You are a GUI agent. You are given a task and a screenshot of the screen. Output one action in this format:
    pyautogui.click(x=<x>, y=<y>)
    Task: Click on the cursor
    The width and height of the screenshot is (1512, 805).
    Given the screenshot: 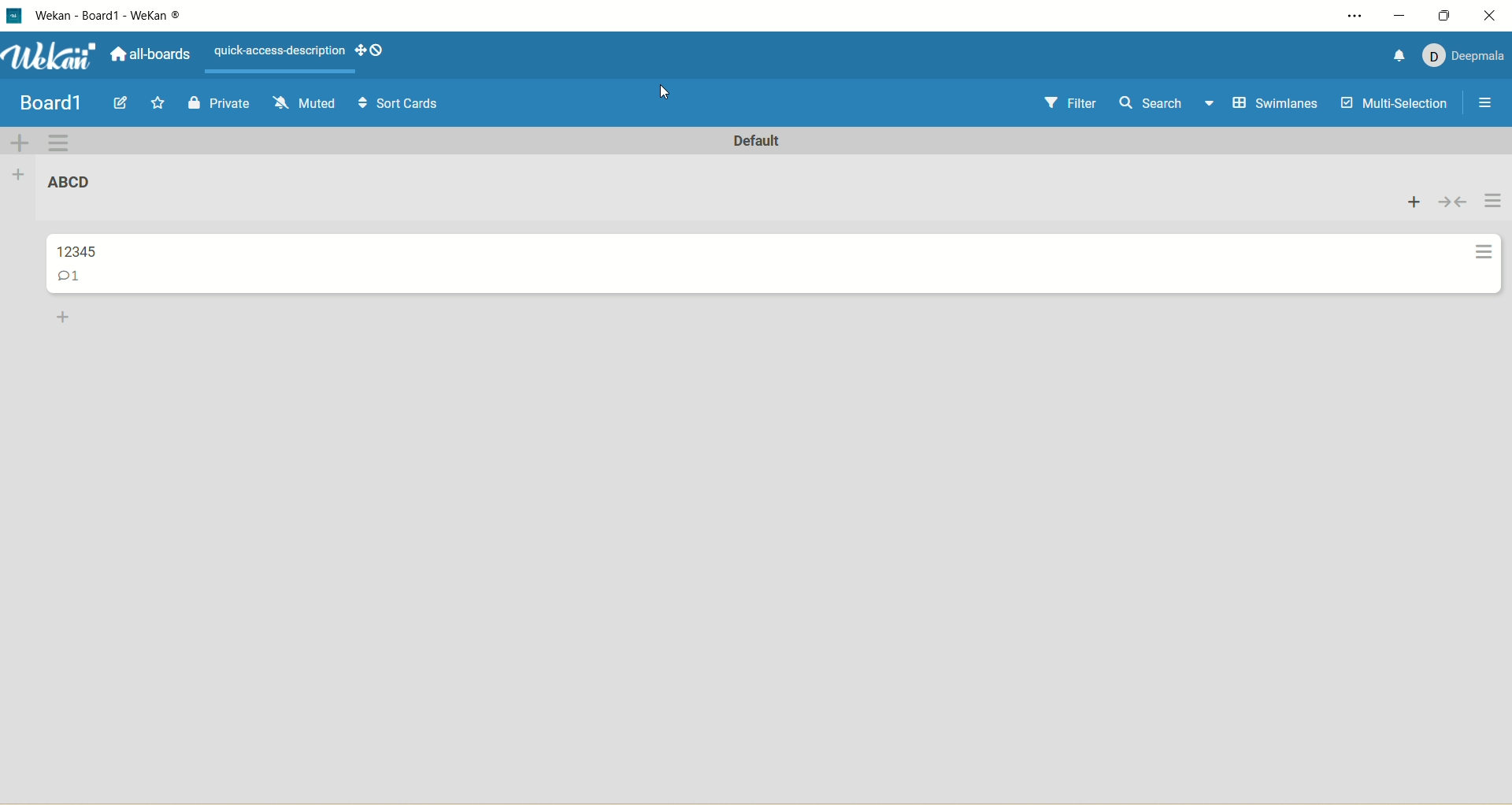 What is the action you would take?
    pyautogui.click(x=667, y=95)
    